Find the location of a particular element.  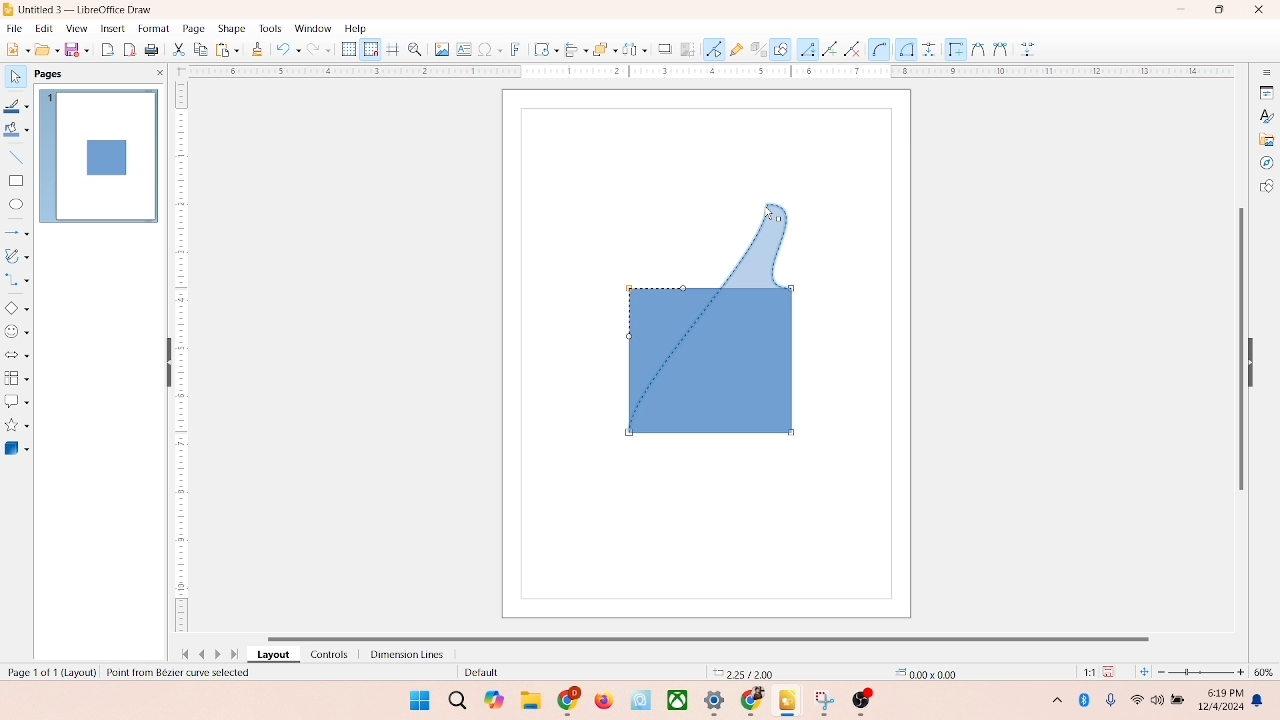

symbol shapes is located at coordinates (17, 332).